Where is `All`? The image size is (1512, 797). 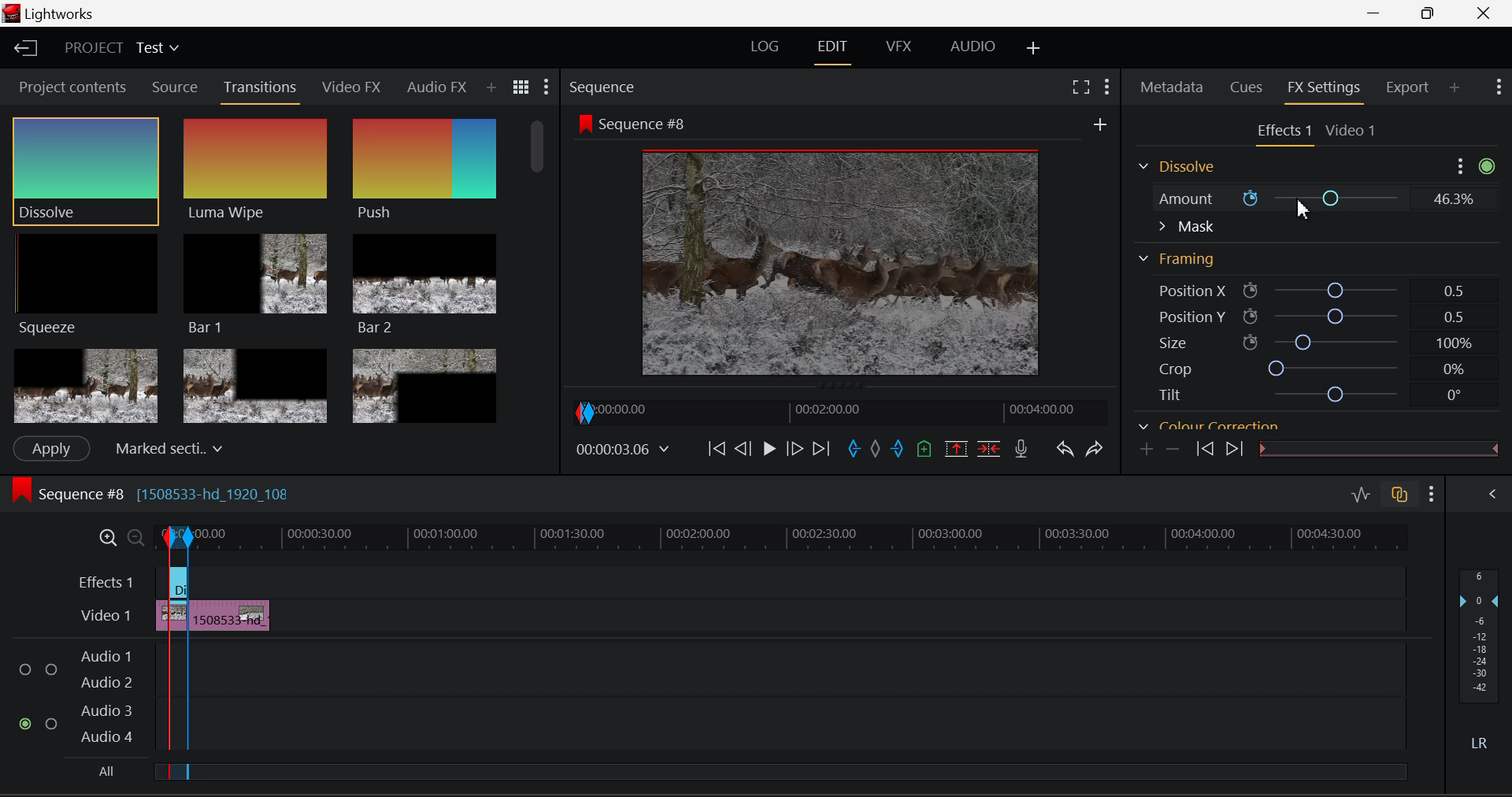
All is located at coordinates (102, 771).